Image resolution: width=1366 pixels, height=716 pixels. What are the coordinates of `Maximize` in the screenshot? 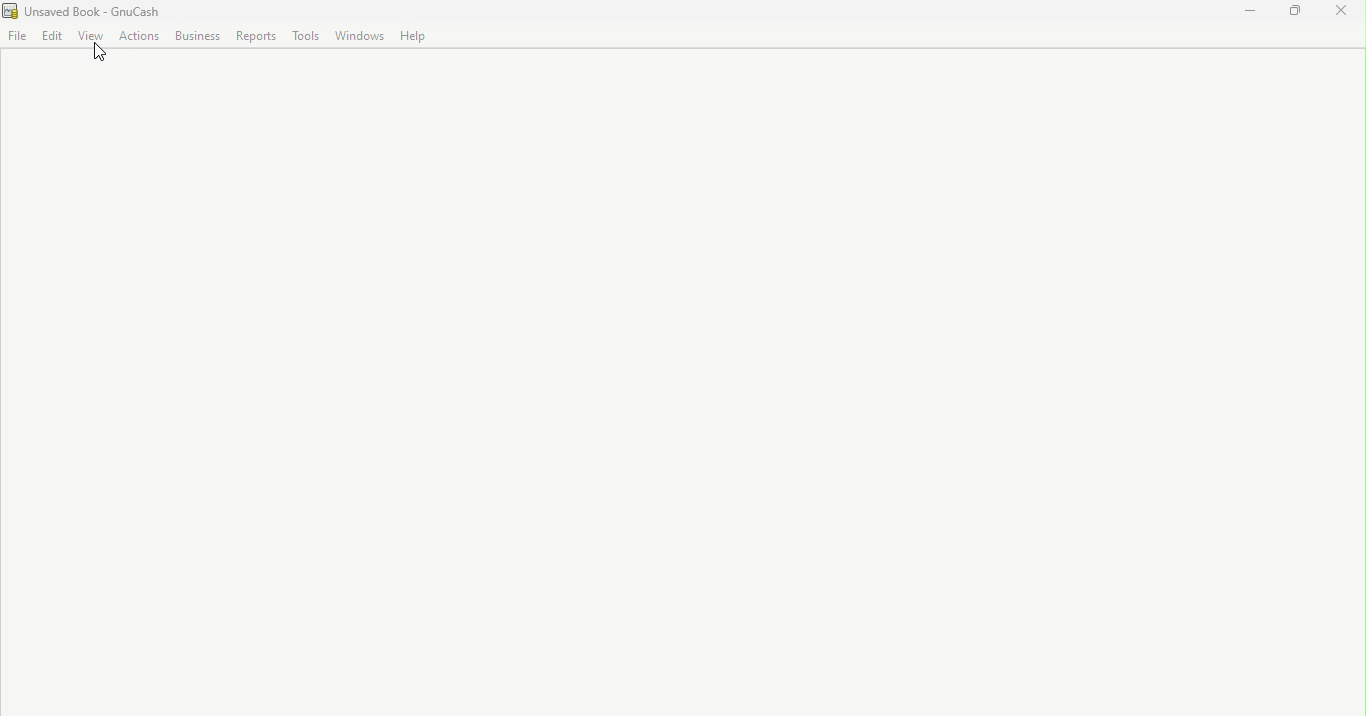 It's located at (1300, 12).